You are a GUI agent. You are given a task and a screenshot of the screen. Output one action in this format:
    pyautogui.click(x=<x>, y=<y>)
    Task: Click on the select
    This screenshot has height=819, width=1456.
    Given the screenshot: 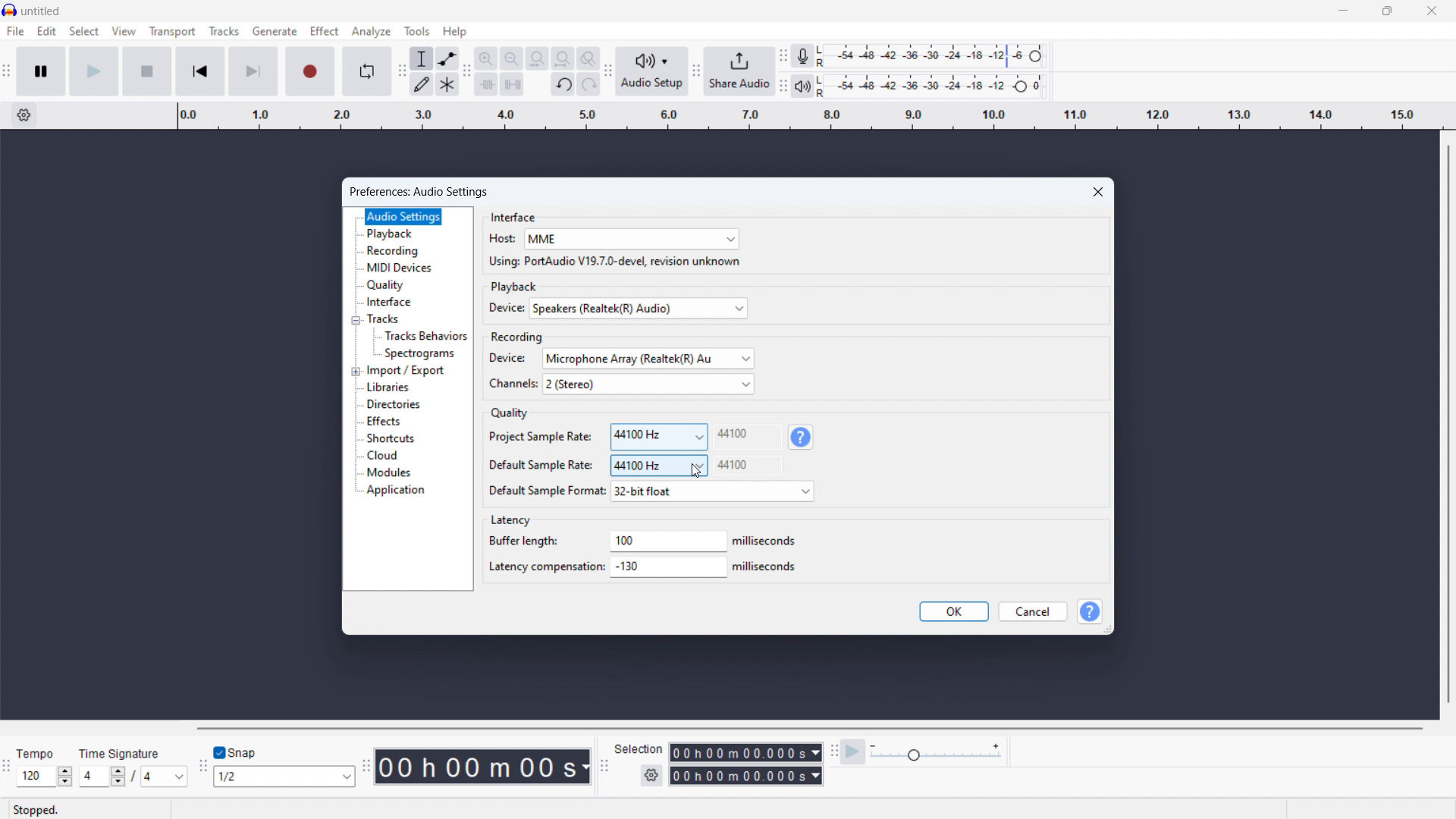 What is the action you would take?
    pyautogui.click(x=83, y=31)
    